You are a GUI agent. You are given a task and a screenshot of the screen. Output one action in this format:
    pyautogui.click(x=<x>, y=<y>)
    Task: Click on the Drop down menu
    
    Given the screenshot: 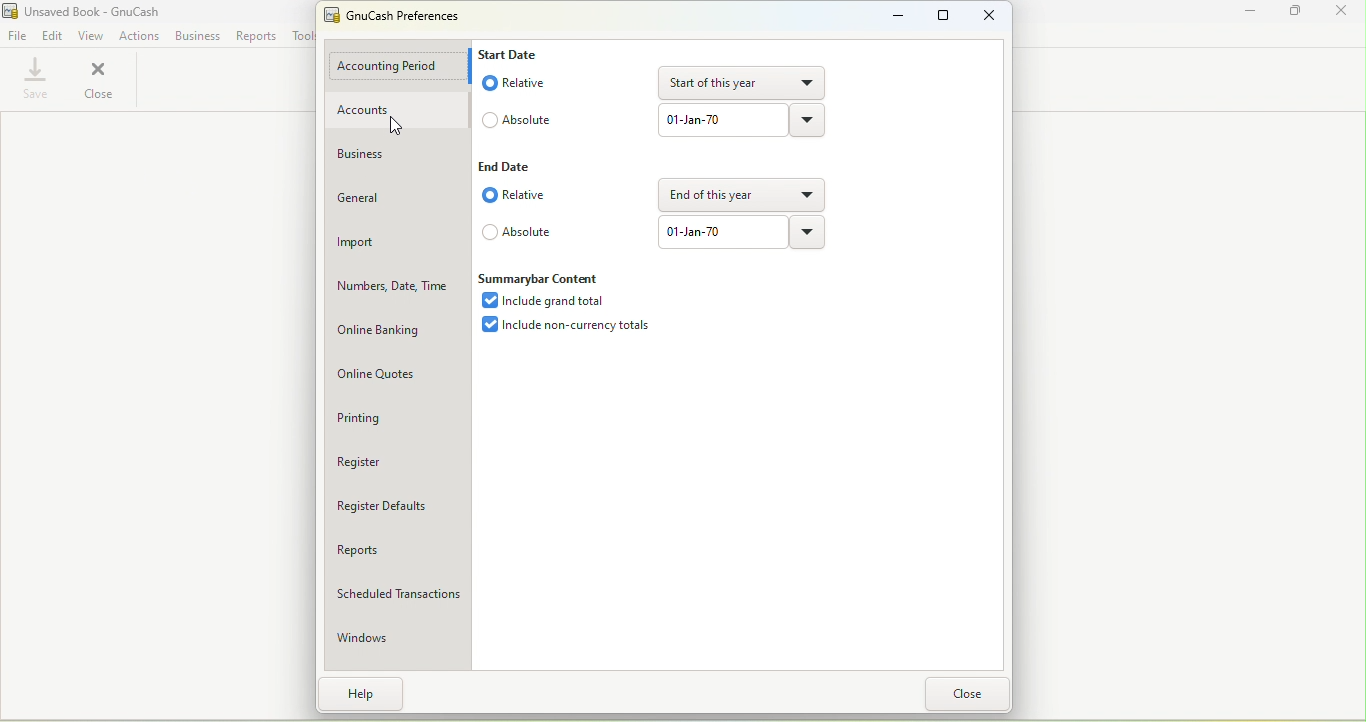 What is the action you would take?
    pyautogui.click(x=809, y=121)
    